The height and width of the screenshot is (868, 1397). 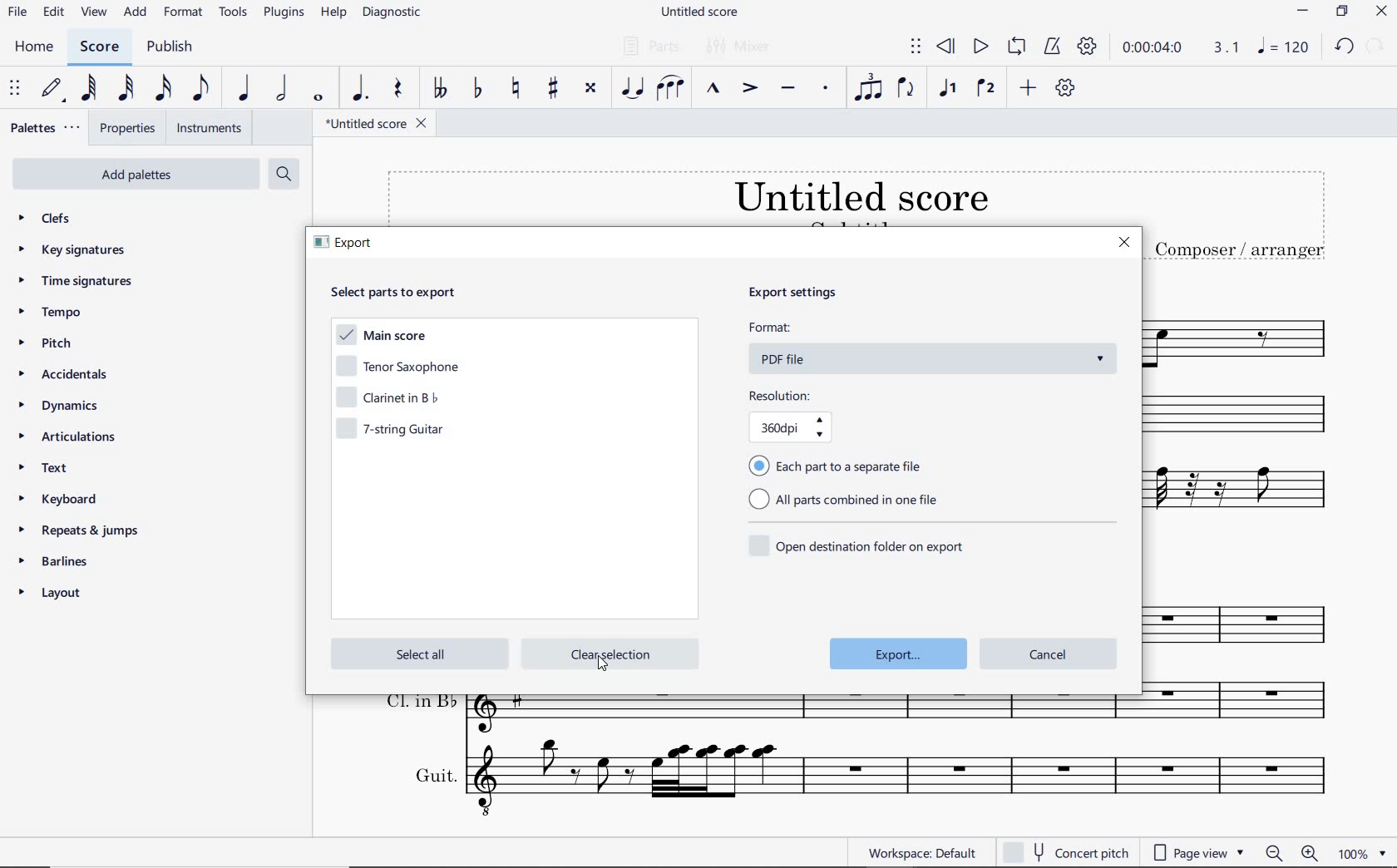 What do you see at coordinates (283, 173) in the screenshot?
I see `search palettes` at bounding box center [283, 173].